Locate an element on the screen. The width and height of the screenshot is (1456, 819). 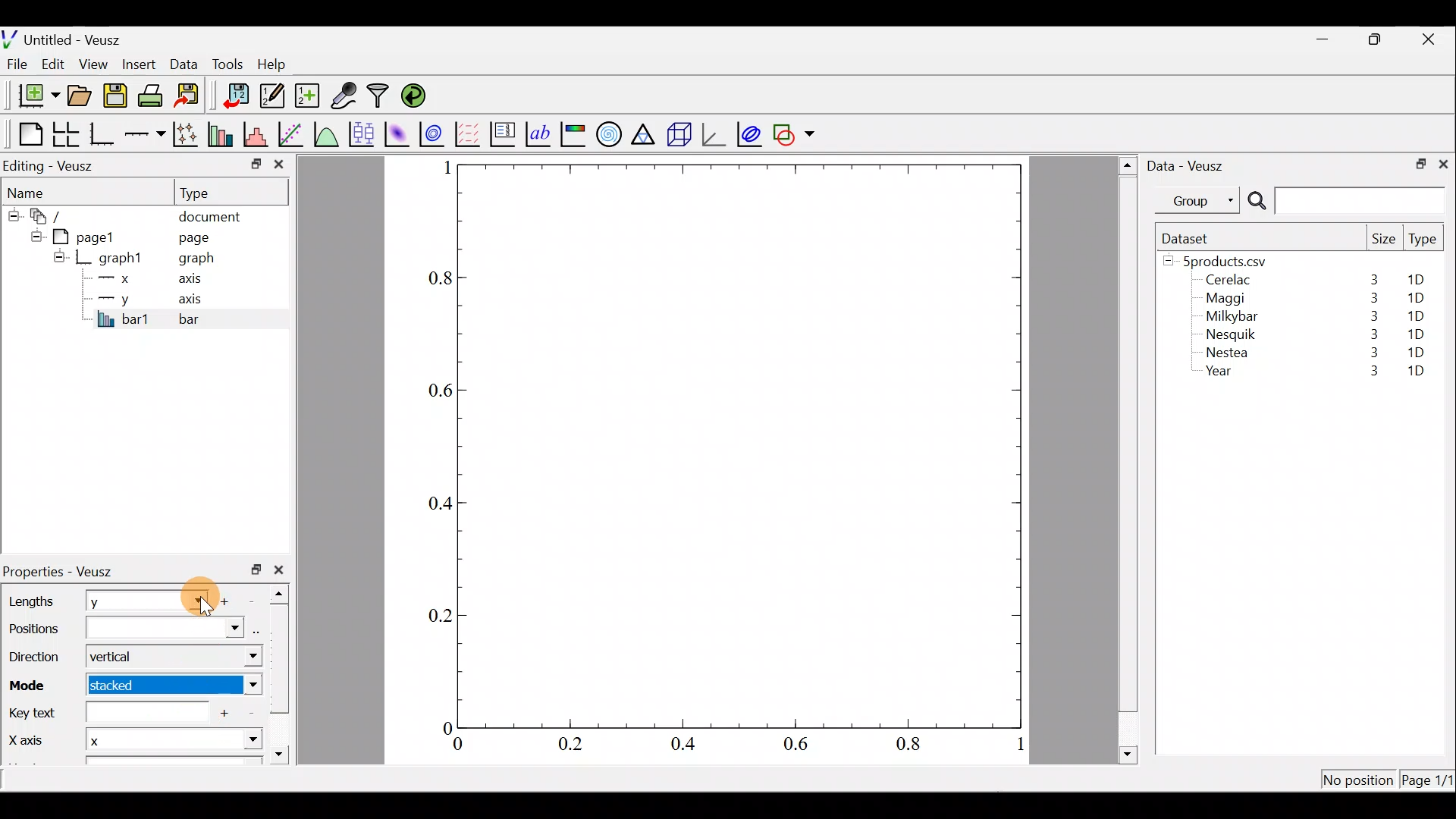
Nesquik is located at coordinates (1228, 334).